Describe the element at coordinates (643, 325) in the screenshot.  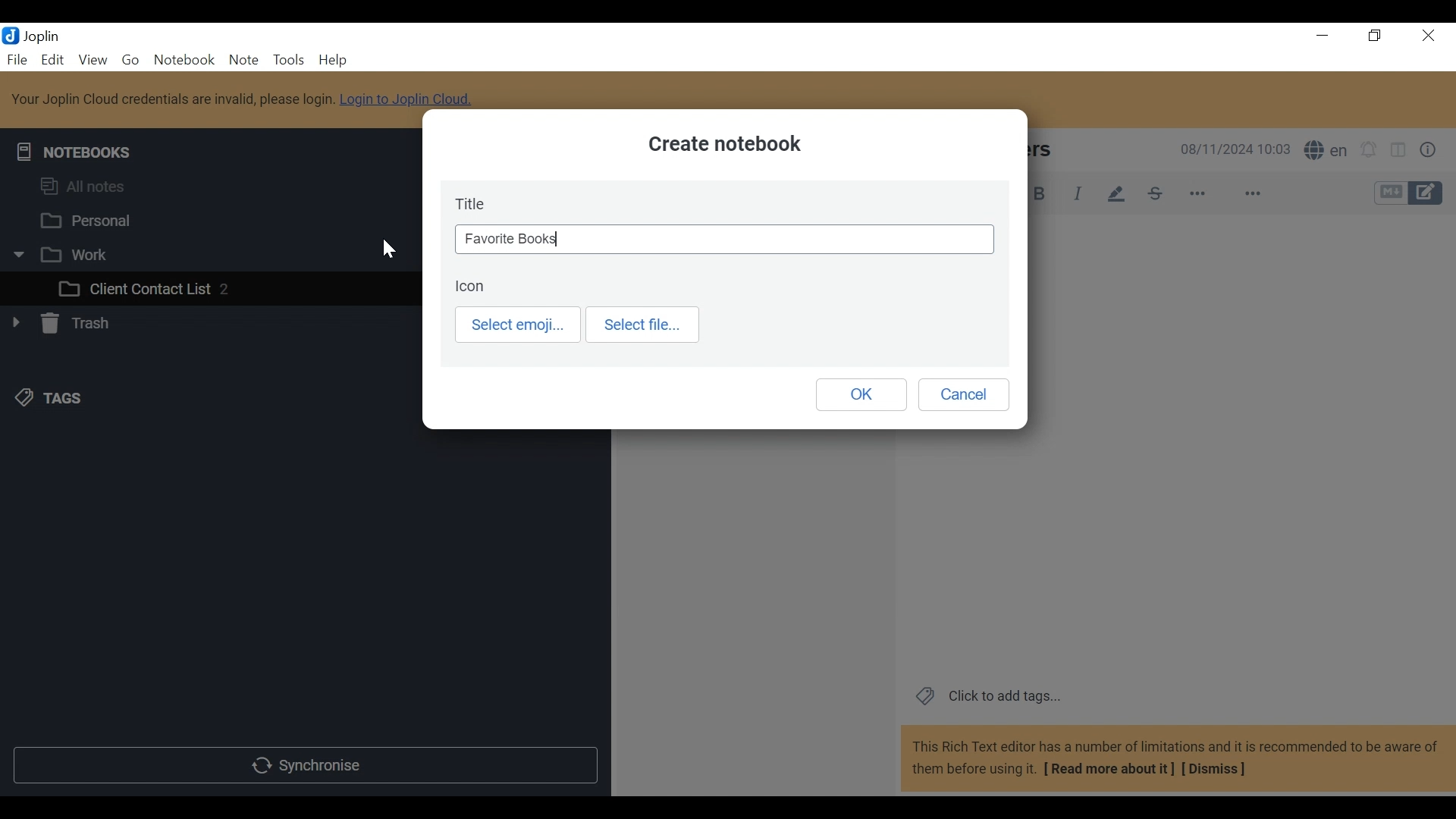
I see `Select file` at that location.